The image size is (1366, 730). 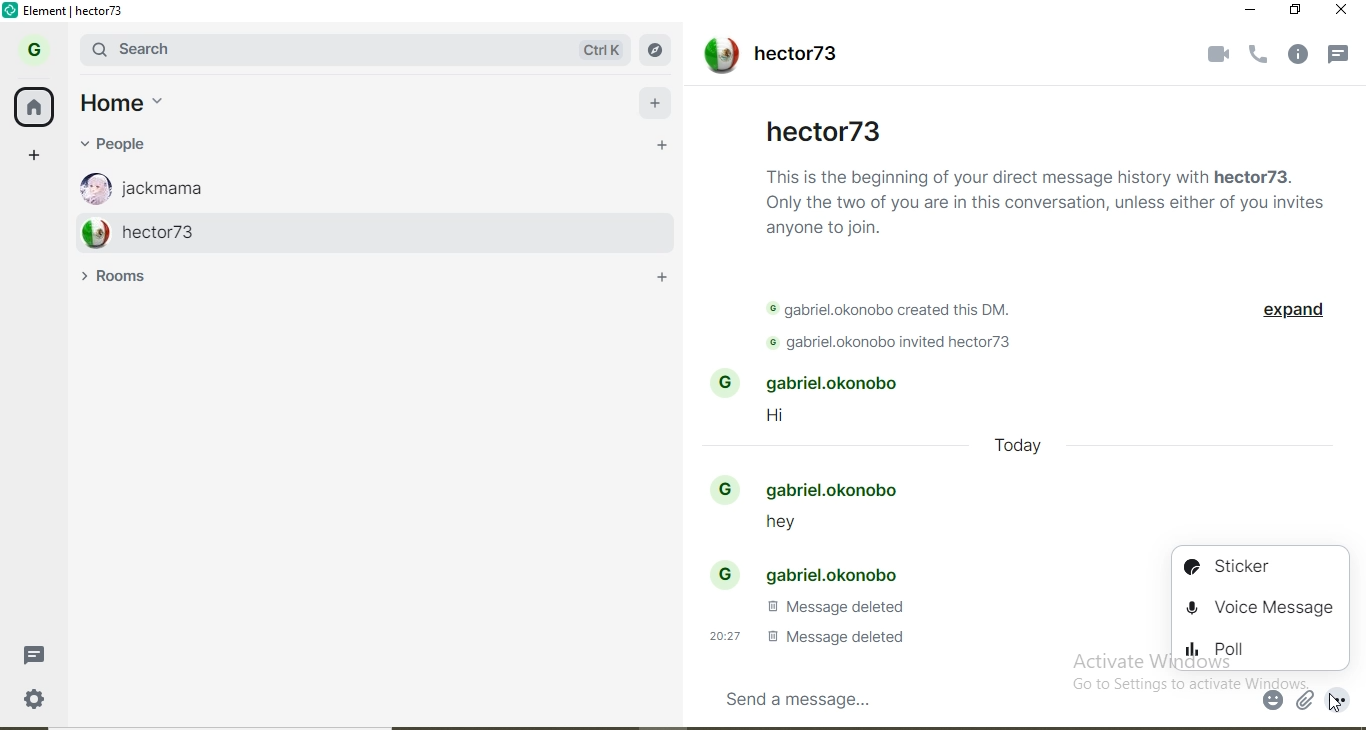 I want to click on rooms, so click(x=124, y=277).